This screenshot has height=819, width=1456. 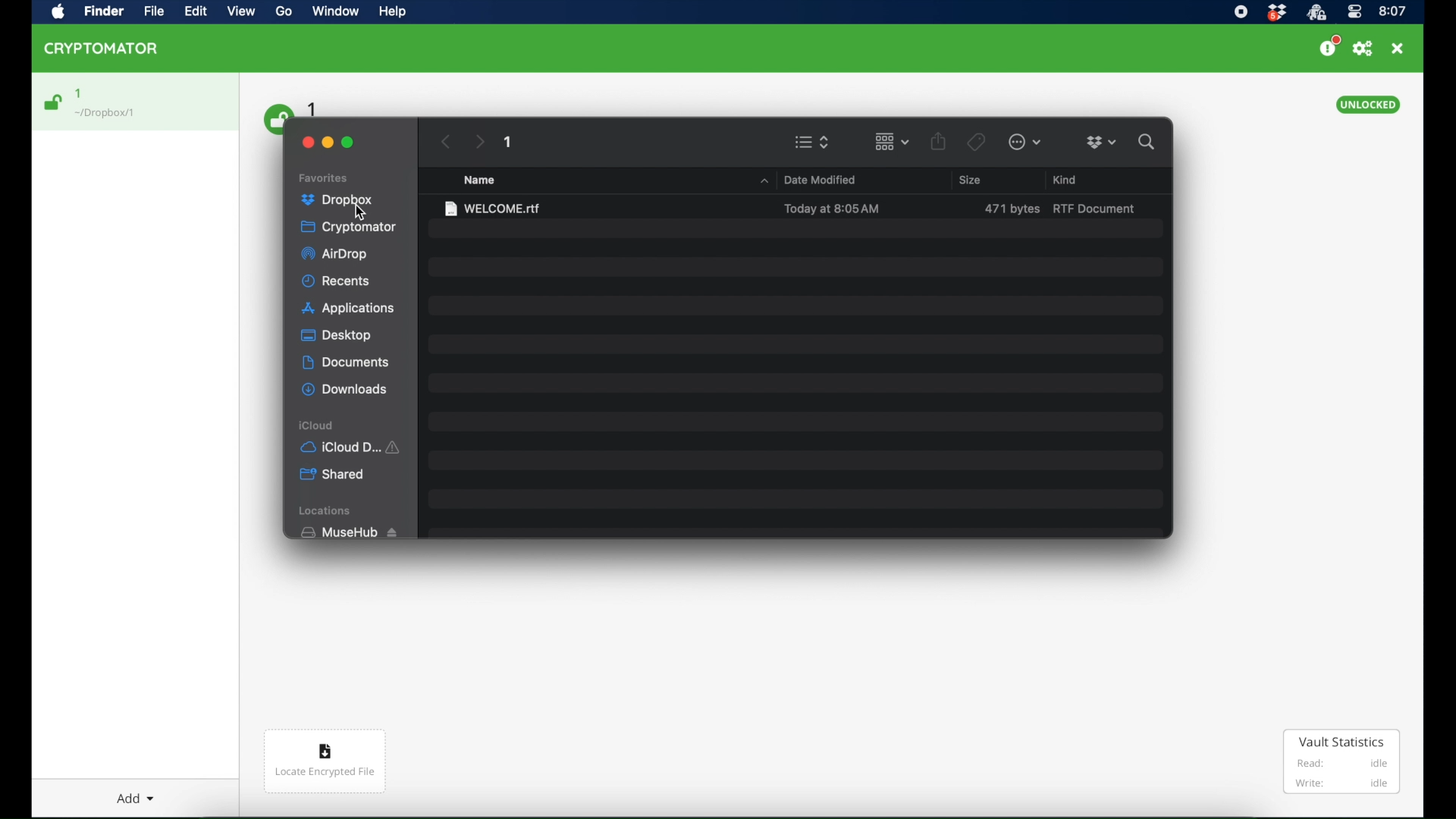 I want to click on applications, so click(x=349, y=309).